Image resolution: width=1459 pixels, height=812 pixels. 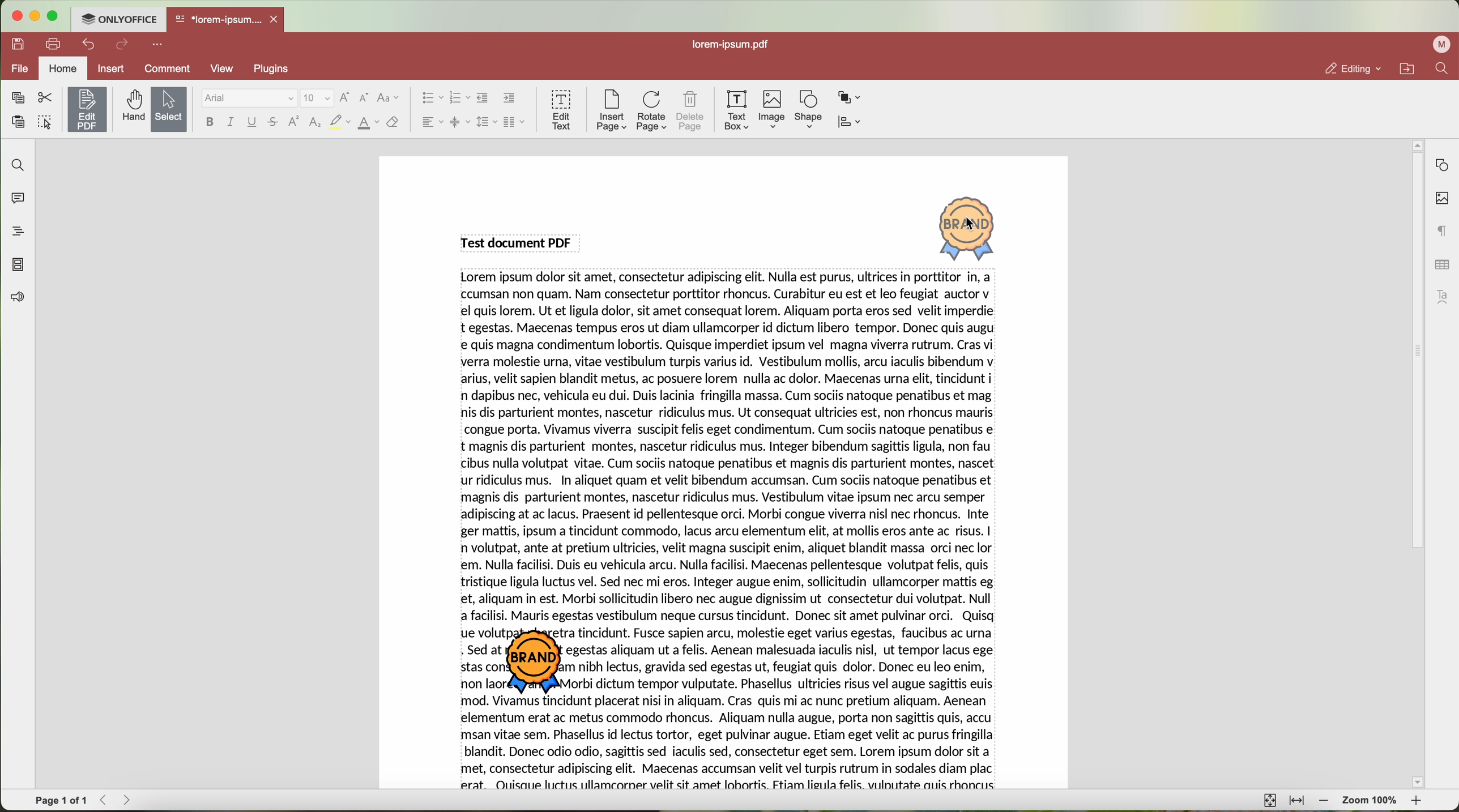 I want to click on shape settings, so click(x=1441, y=165).